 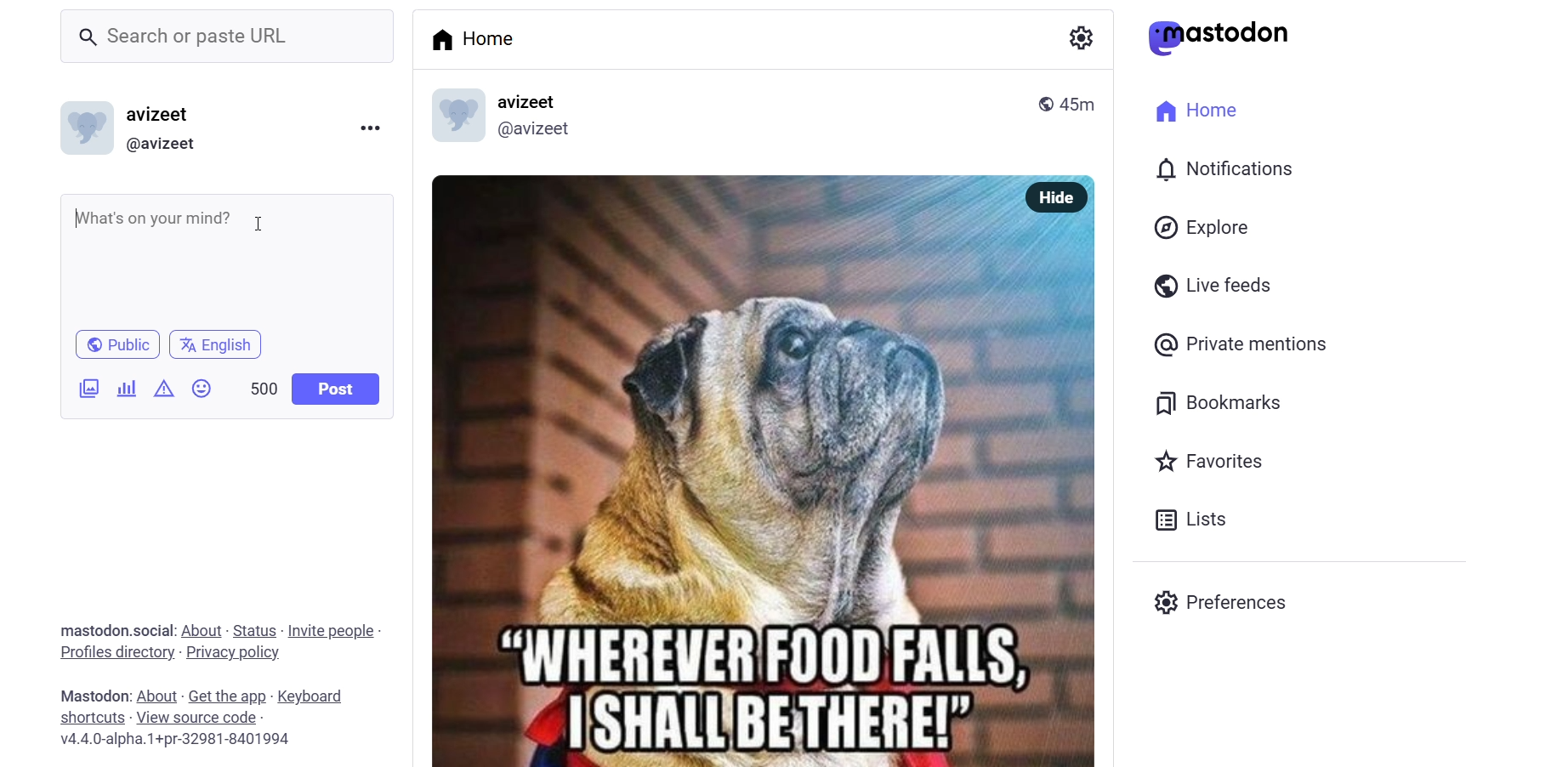 What do you see at coordinates (81, 124) in the screenshot?
I see `logo` at bounding box center [81, 124].